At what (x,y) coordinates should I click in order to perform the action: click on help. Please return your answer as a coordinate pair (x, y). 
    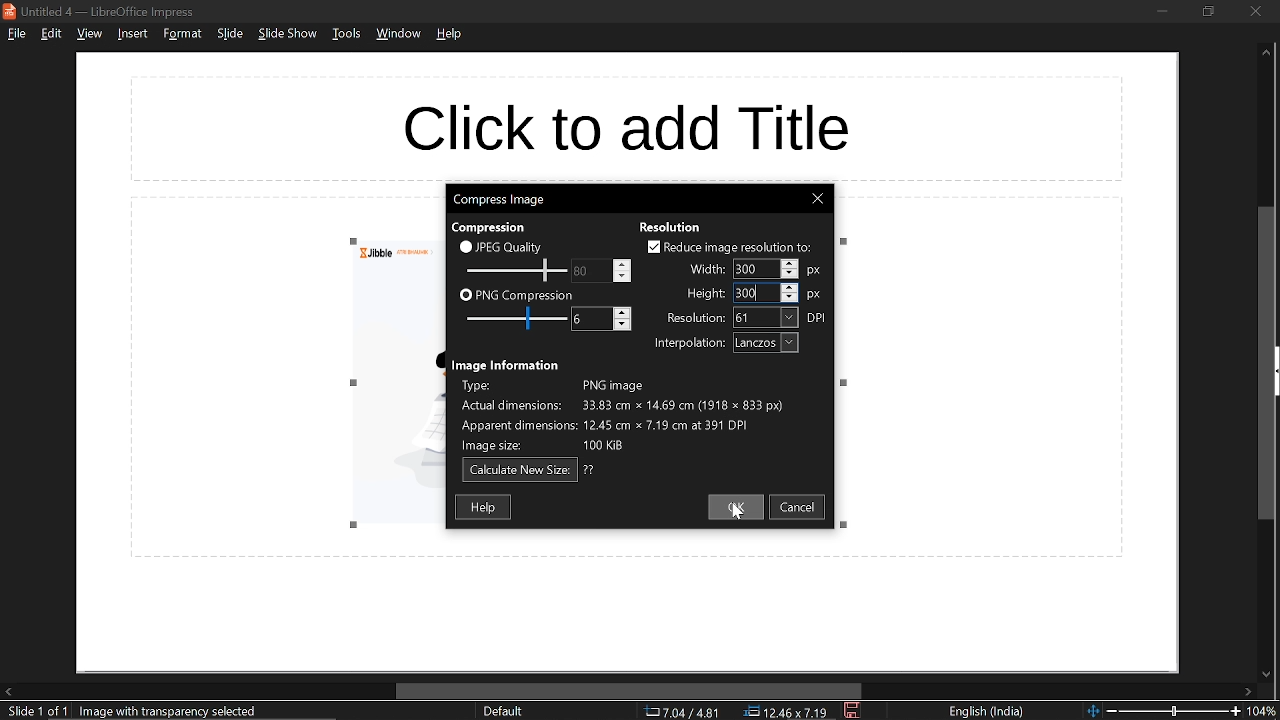
    Looking at the image, I should click on (450, 38).